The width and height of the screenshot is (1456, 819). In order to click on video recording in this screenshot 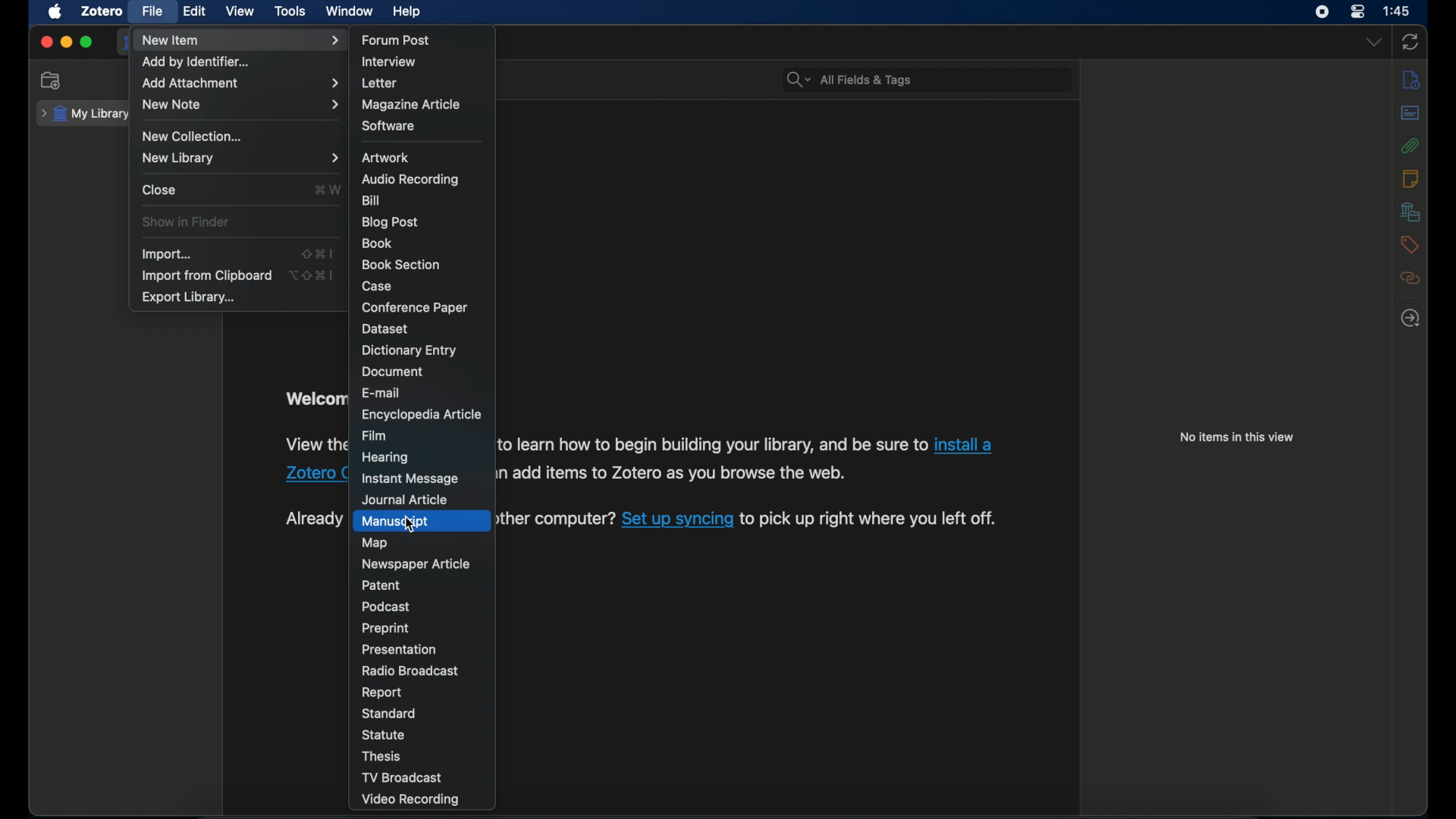, I will do `click(411, 799)`.